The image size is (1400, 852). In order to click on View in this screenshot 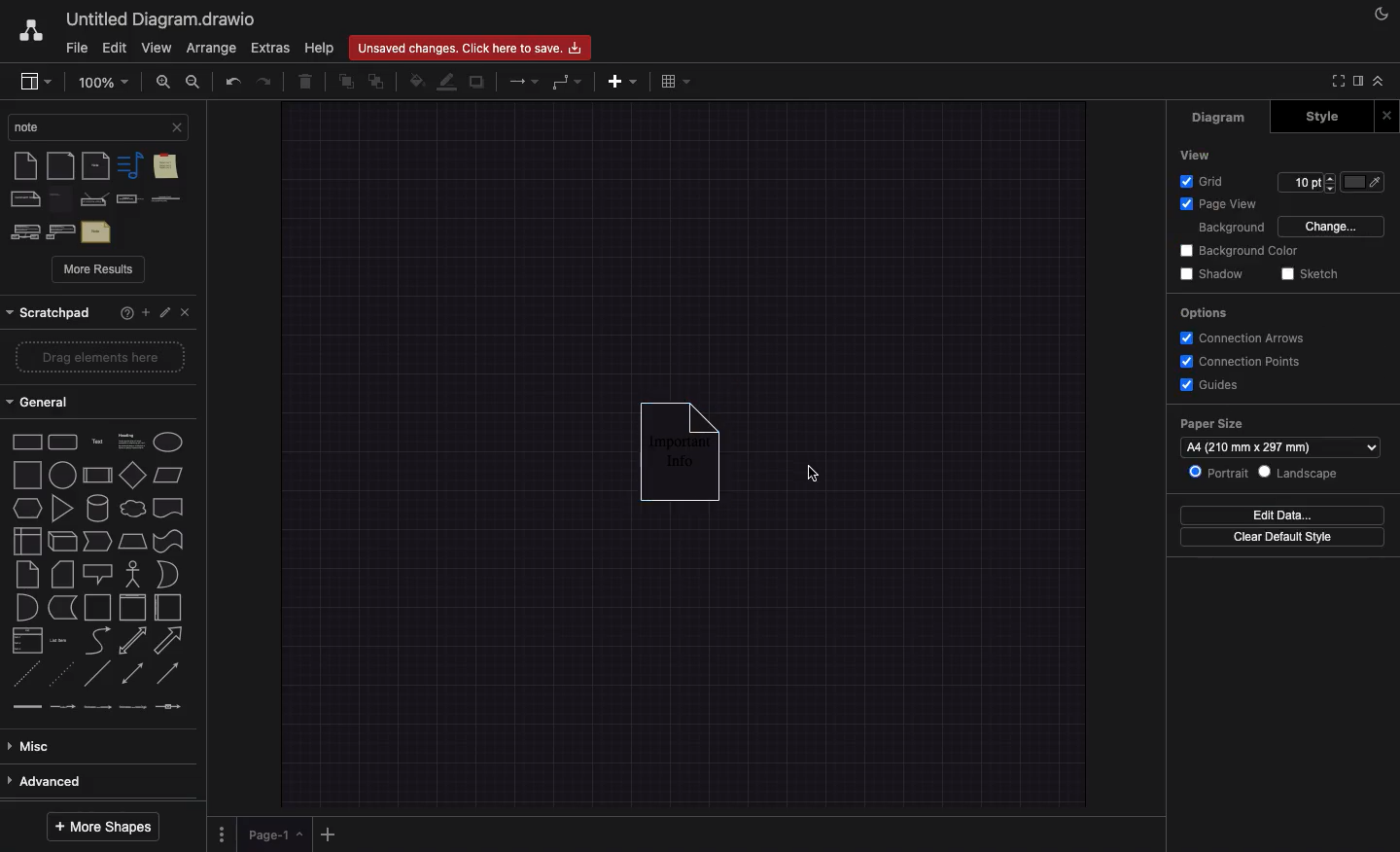, I will do `click(1201, 154)`.